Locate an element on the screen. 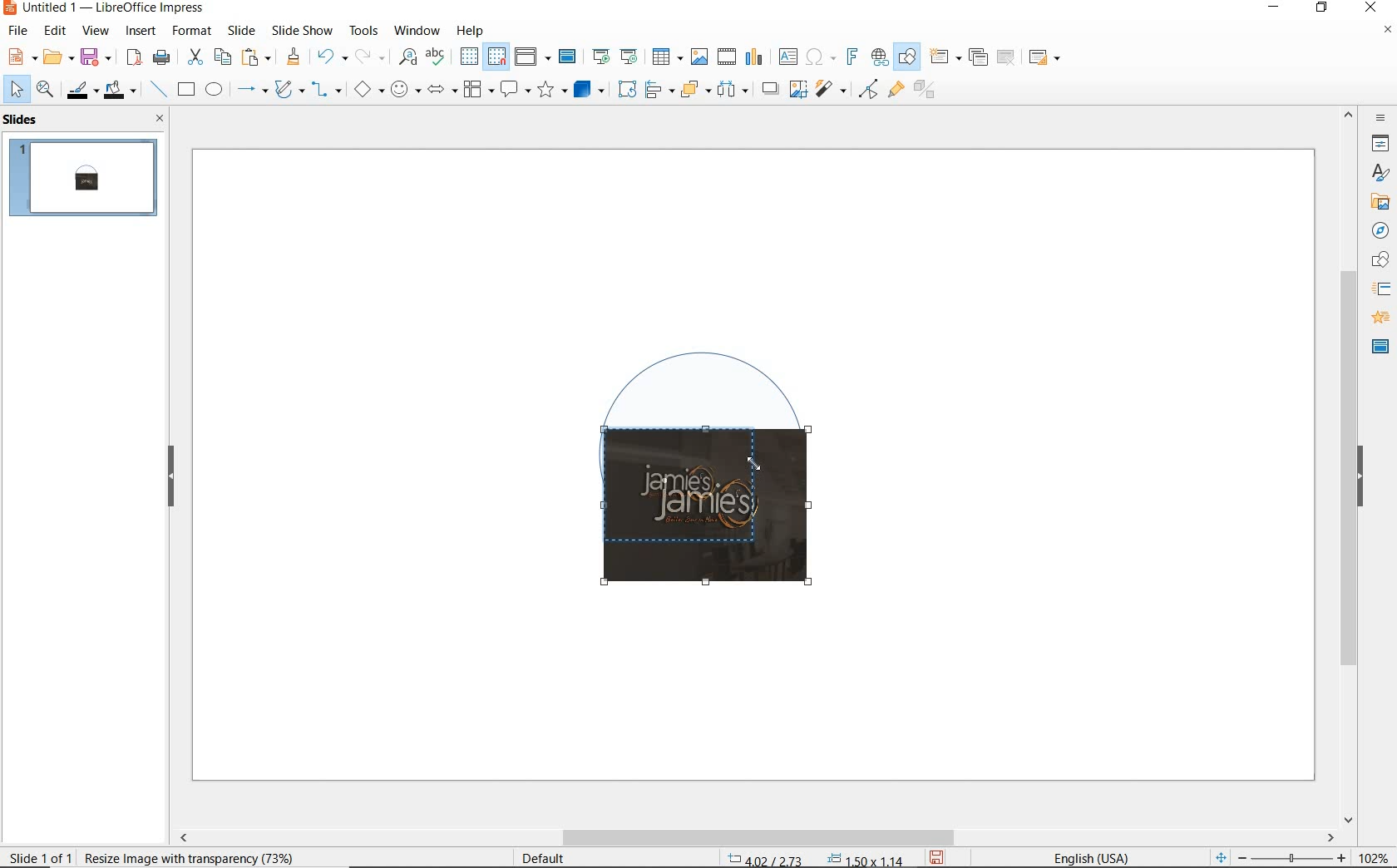  hide is located at coordinates (171, 477).